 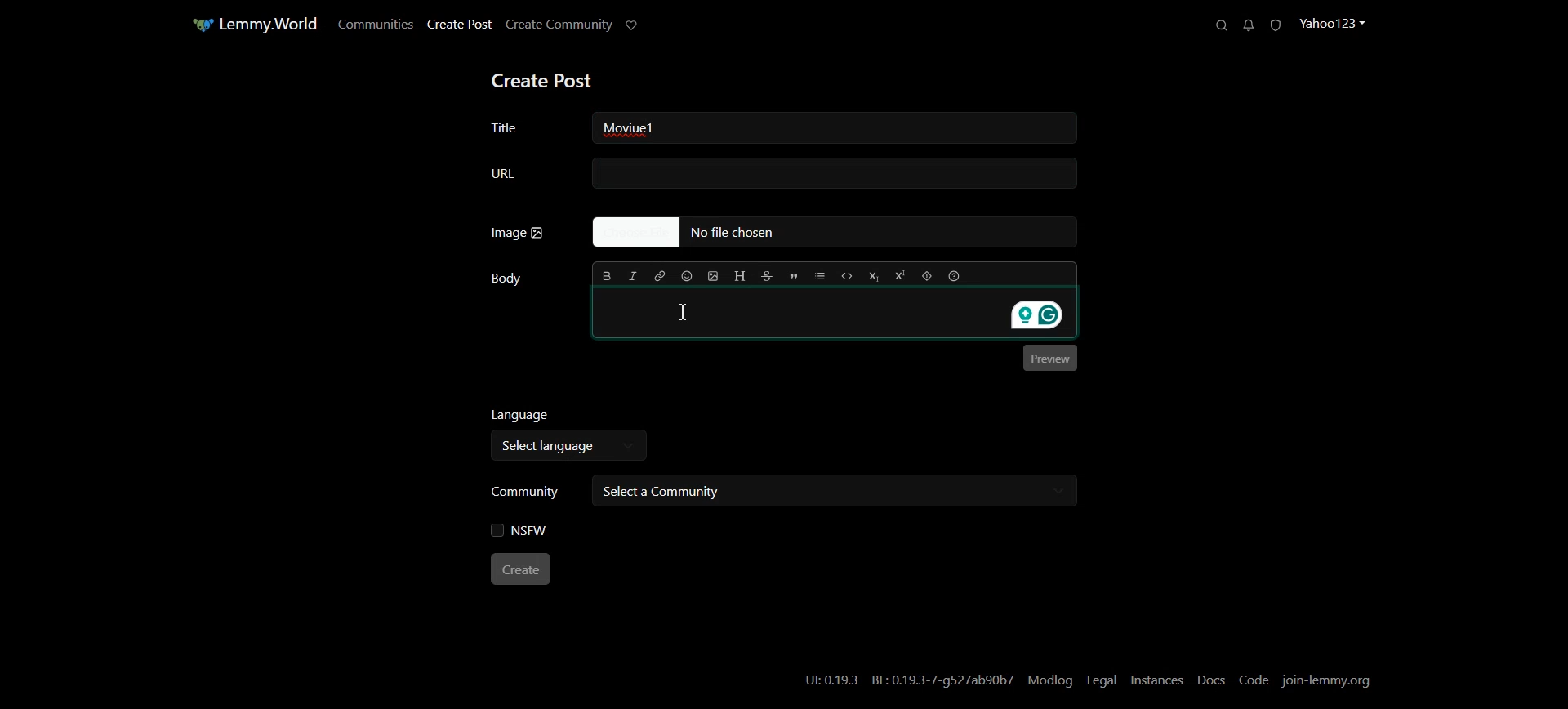 What do you see at coordinates (875, 276) in the screenshot?
I see `Subscript` at bounding box center [875, 276].